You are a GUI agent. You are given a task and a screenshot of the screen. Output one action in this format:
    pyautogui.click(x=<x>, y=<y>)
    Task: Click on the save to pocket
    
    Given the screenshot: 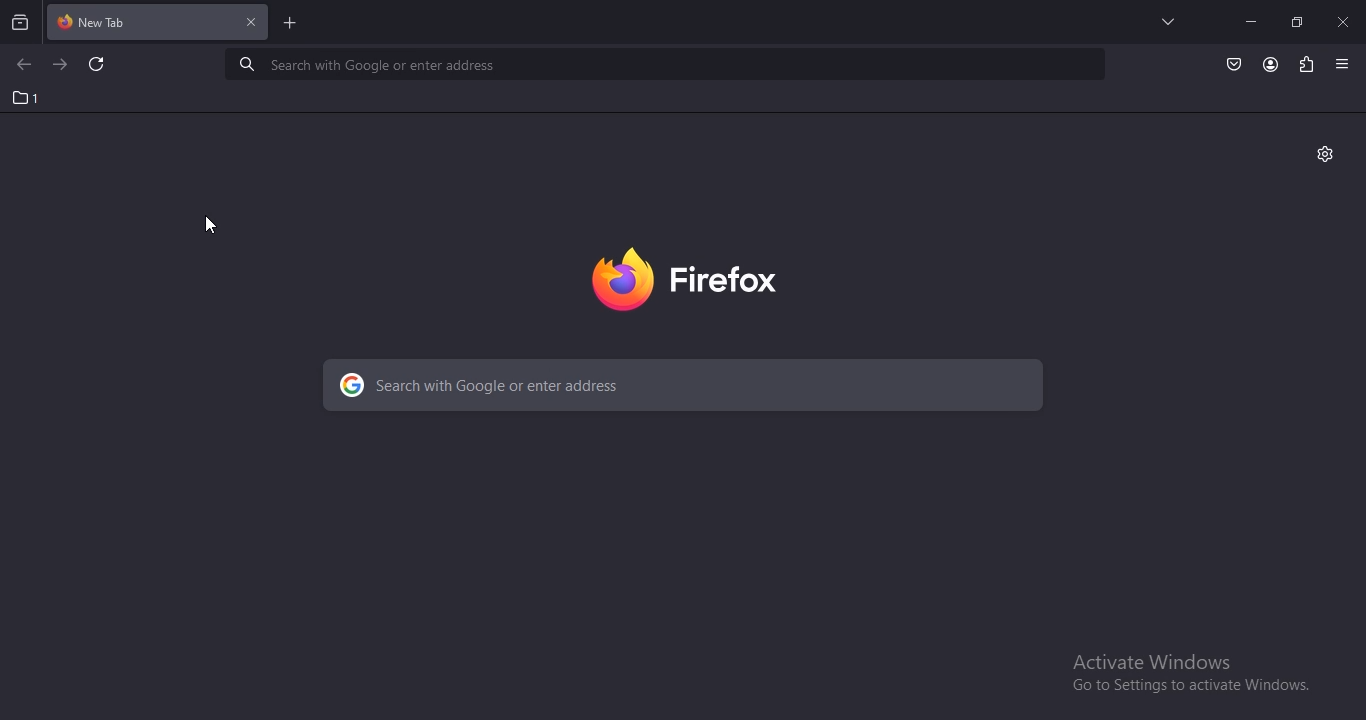 What is the action you would take?
    pyautogui.click(x=1235, y=63)
    